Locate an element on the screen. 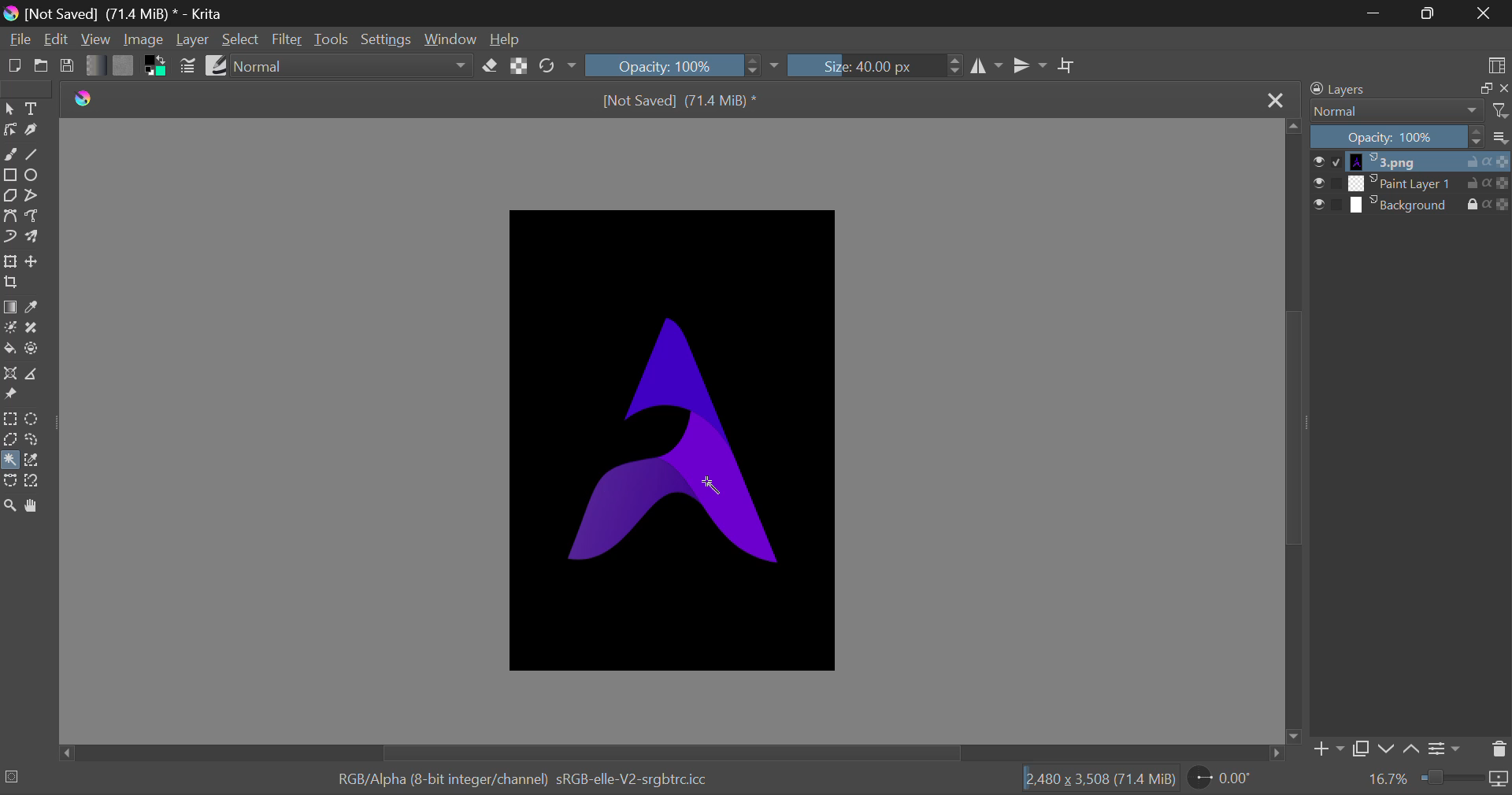  Copy Layer is located at coordinates (1362, 750).